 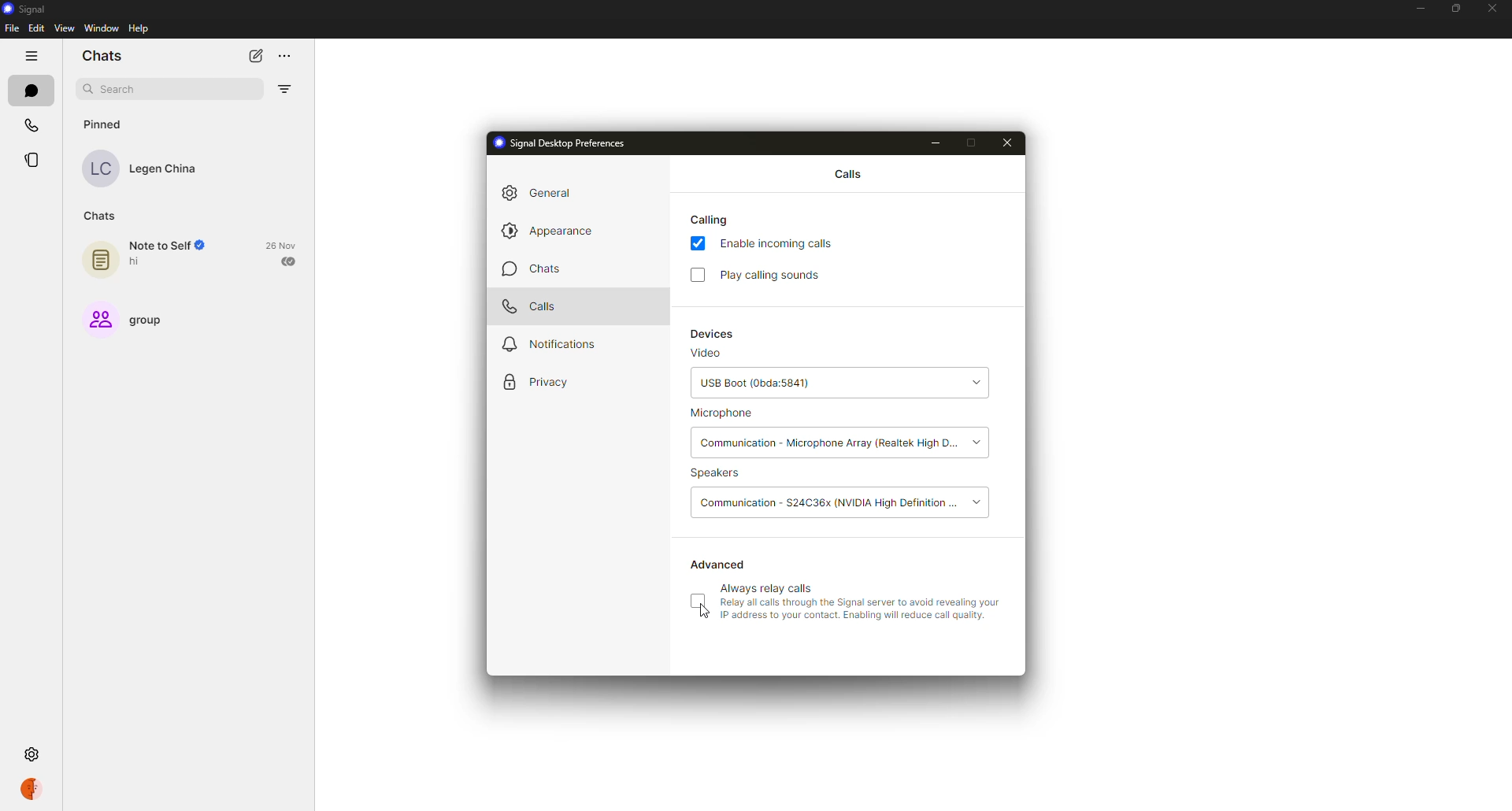 What do you see at coordinates (769, 587) in the screenshot?
I see `always relay calls` at bounding box center [769, 587].